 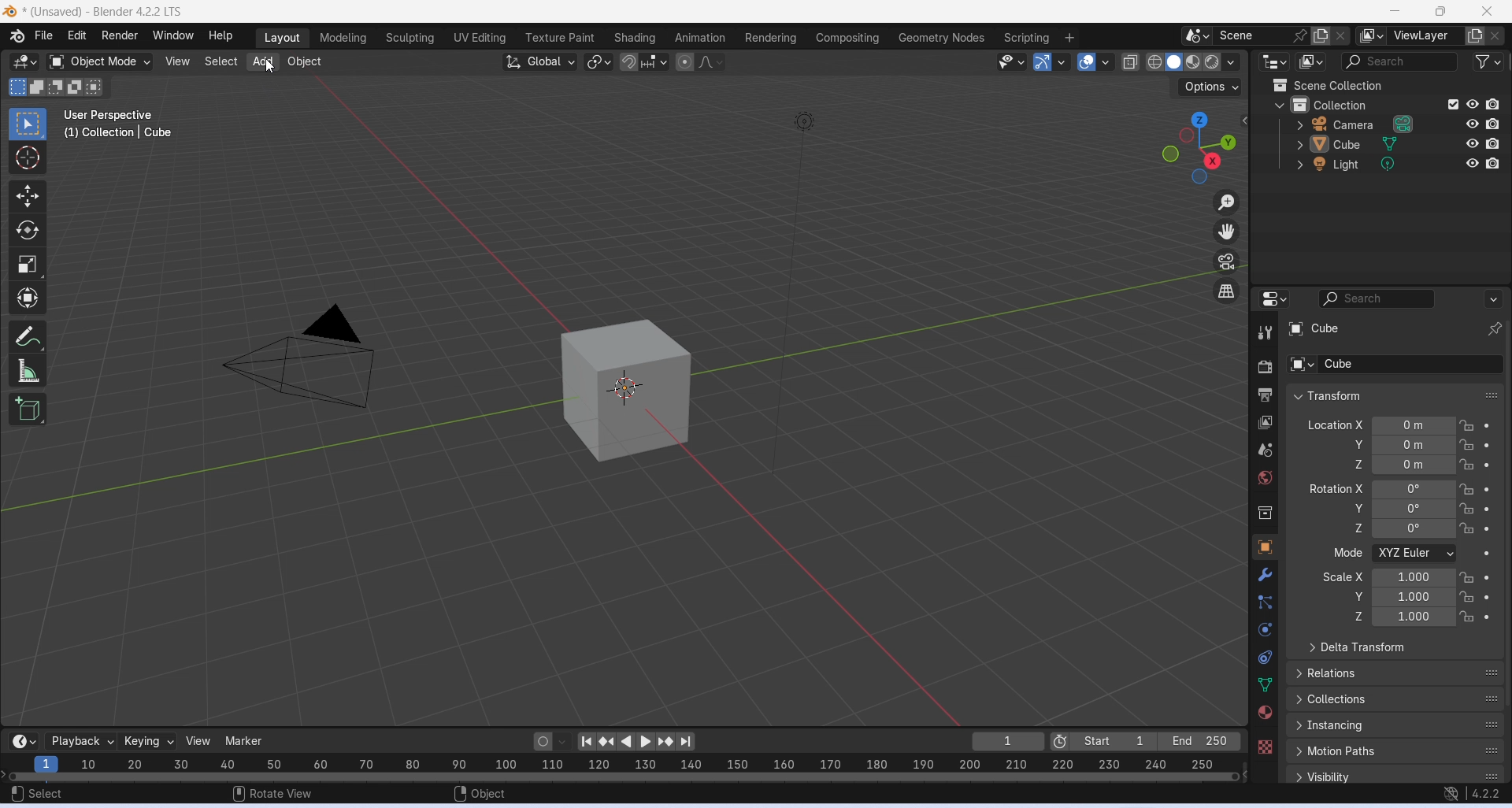 I want to click on Add workspace, so click(x=1070, y=38).